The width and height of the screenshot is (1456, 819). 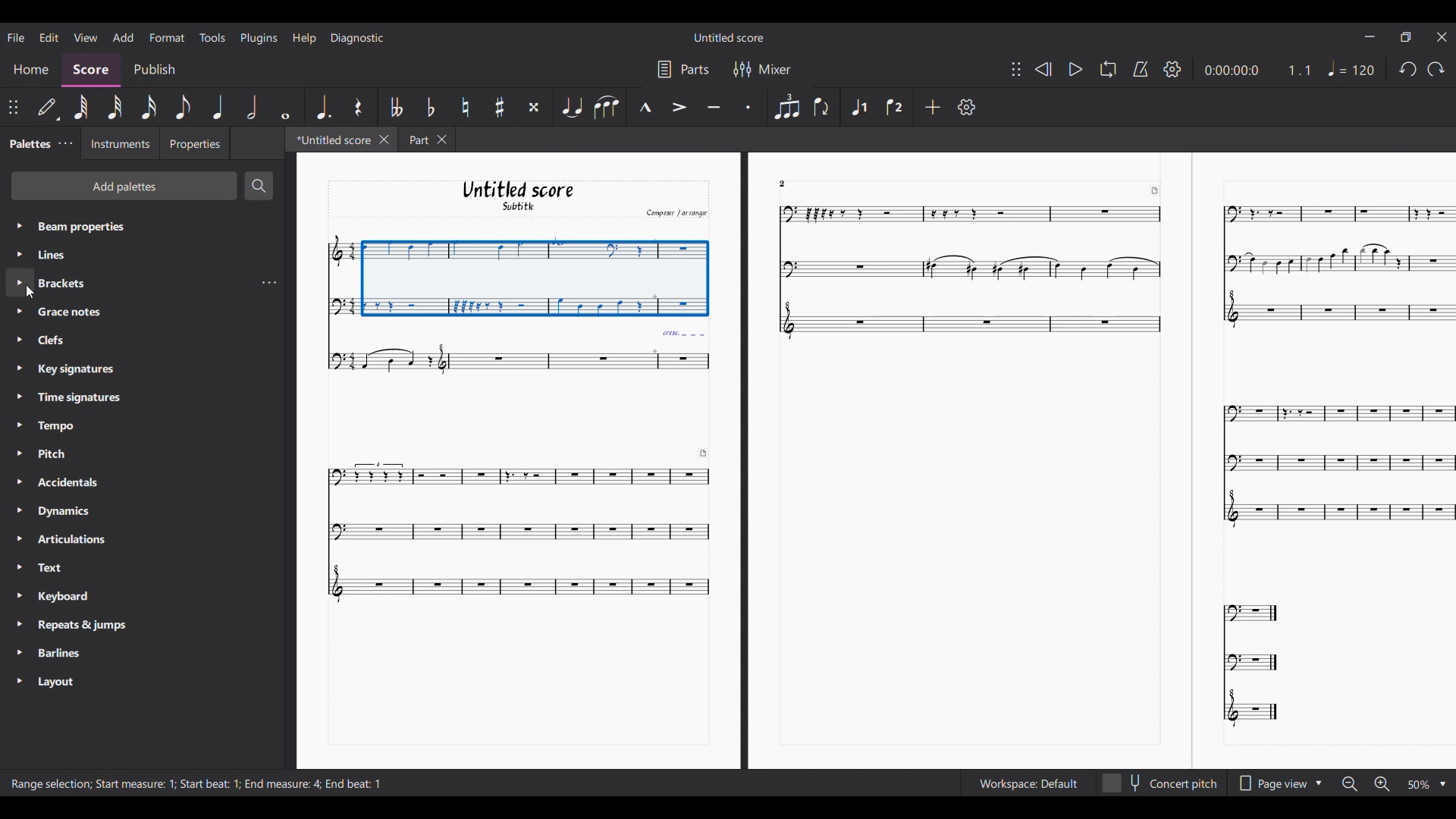 I want to click on , so click(x=521, y=585).